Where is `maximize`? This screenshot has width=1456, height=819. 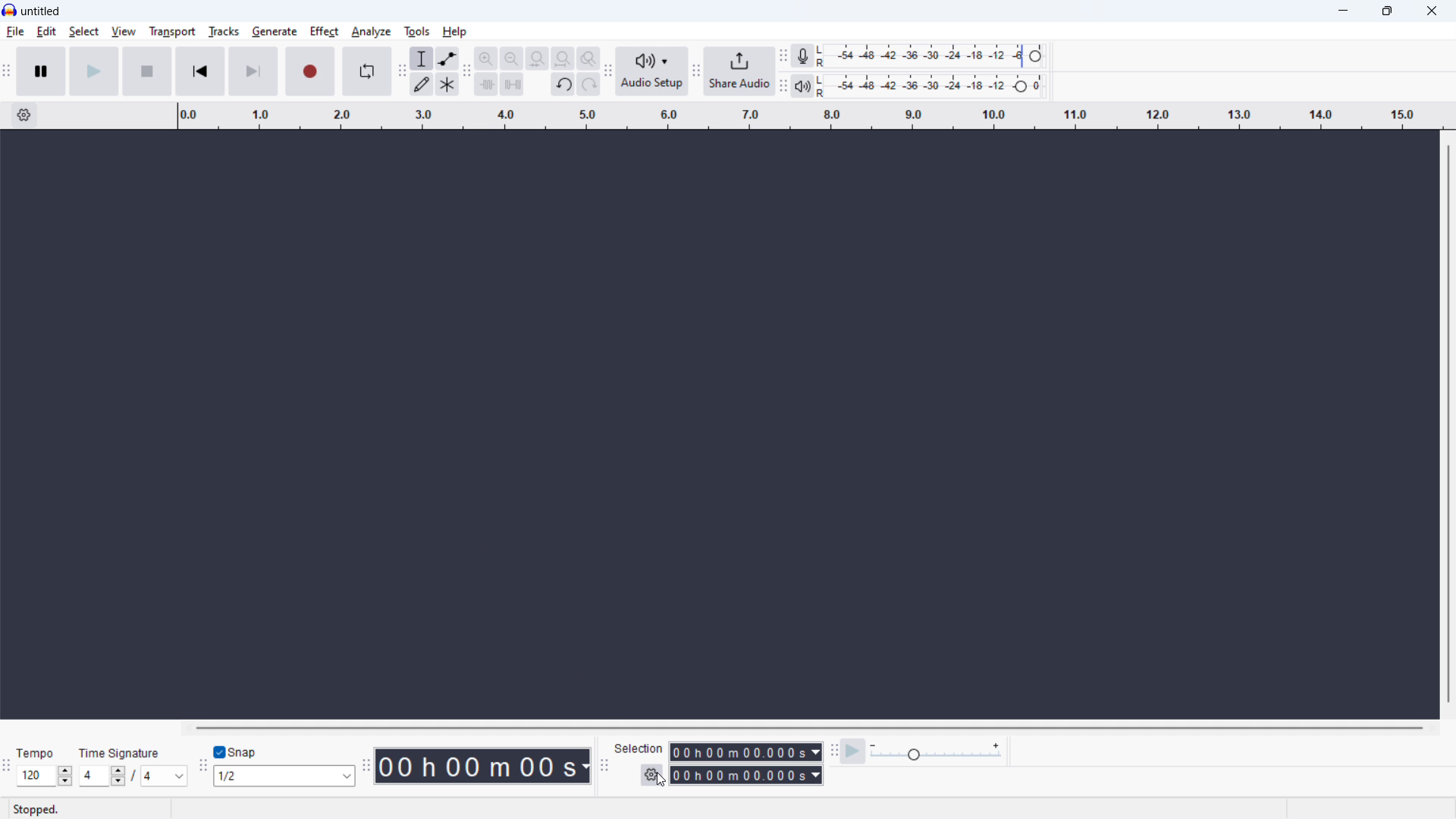 maximize is located at coordinates (1386, 11).